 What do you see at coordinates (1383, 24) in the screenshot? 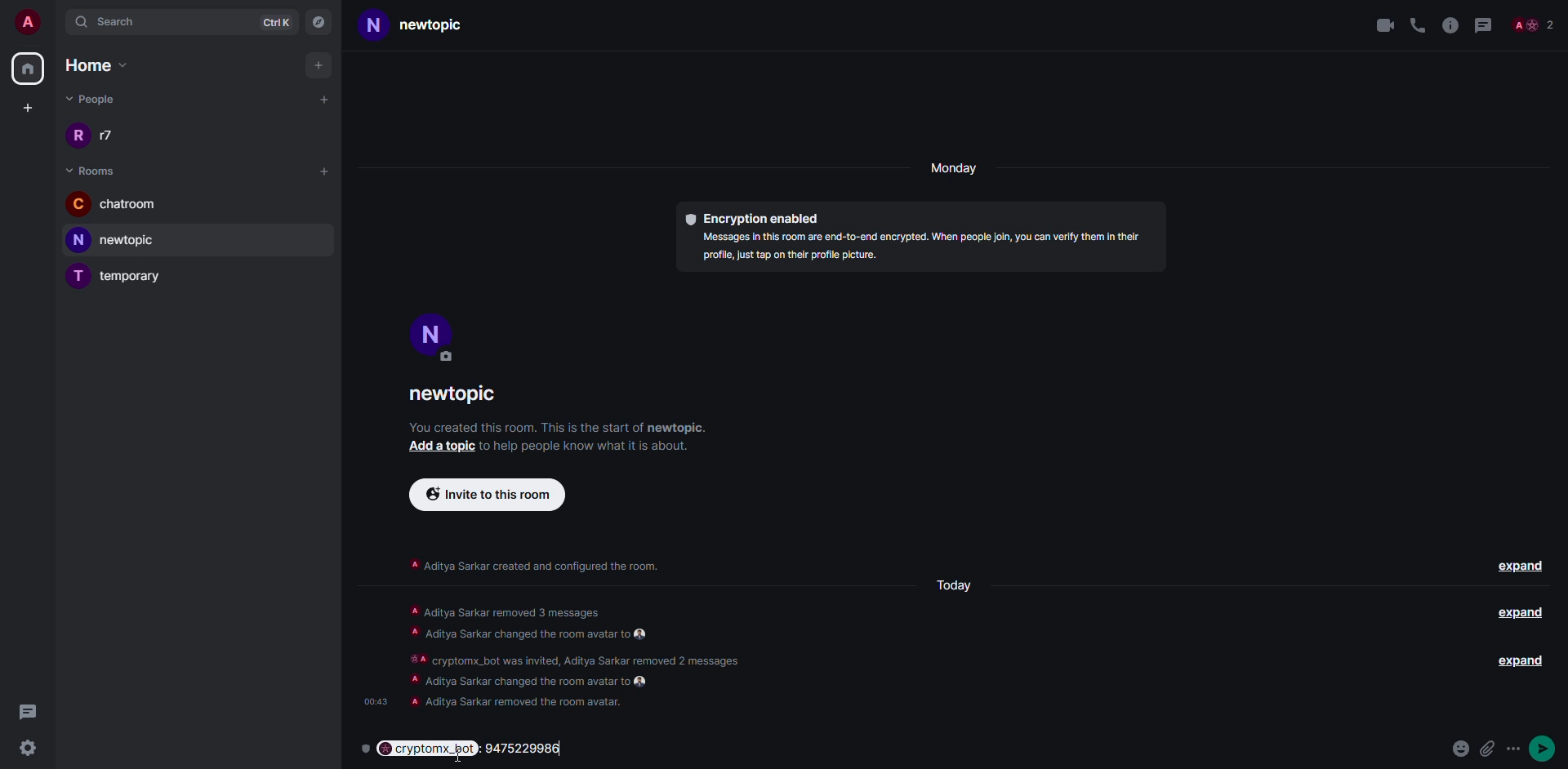
I see `video call` at bounding box center [1383, 24].